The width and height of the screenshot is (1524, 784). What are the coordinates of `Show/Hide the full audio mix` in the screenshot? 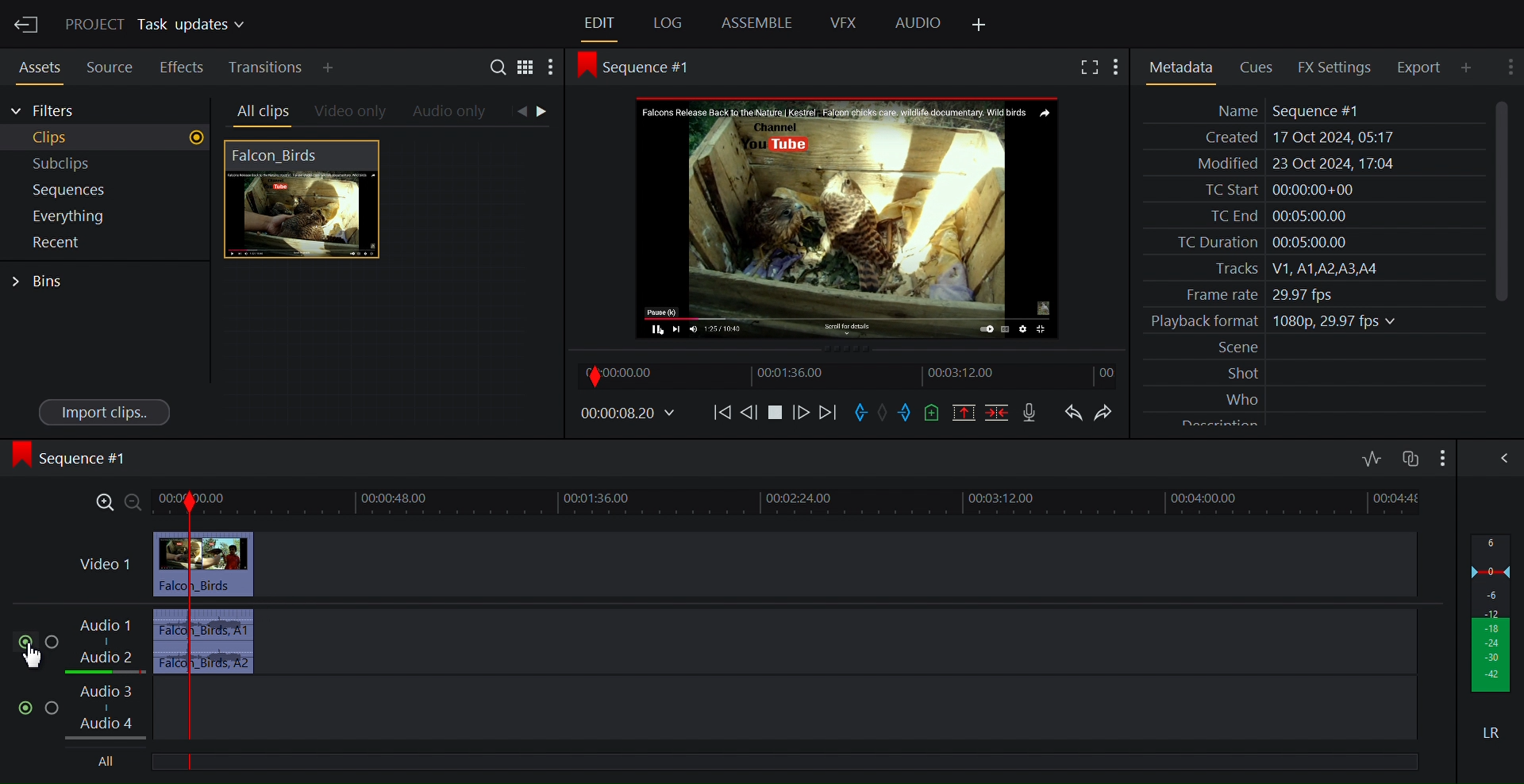 It's located at (1501, 458).